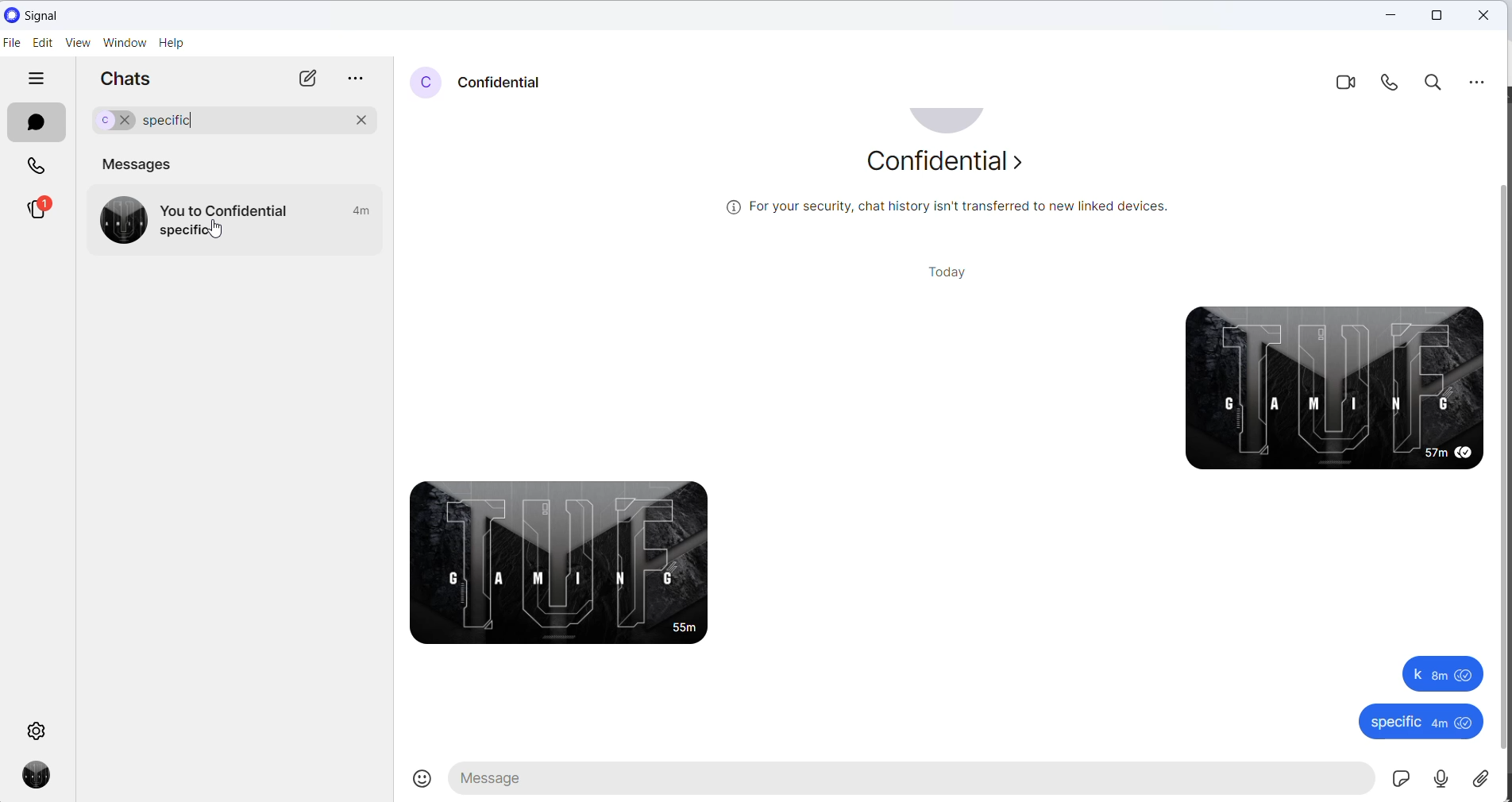 This screenshot has width=1512, height=802. Describe the element at coordinates (1406, 721) in the screenshot. I see `specific` at that location.